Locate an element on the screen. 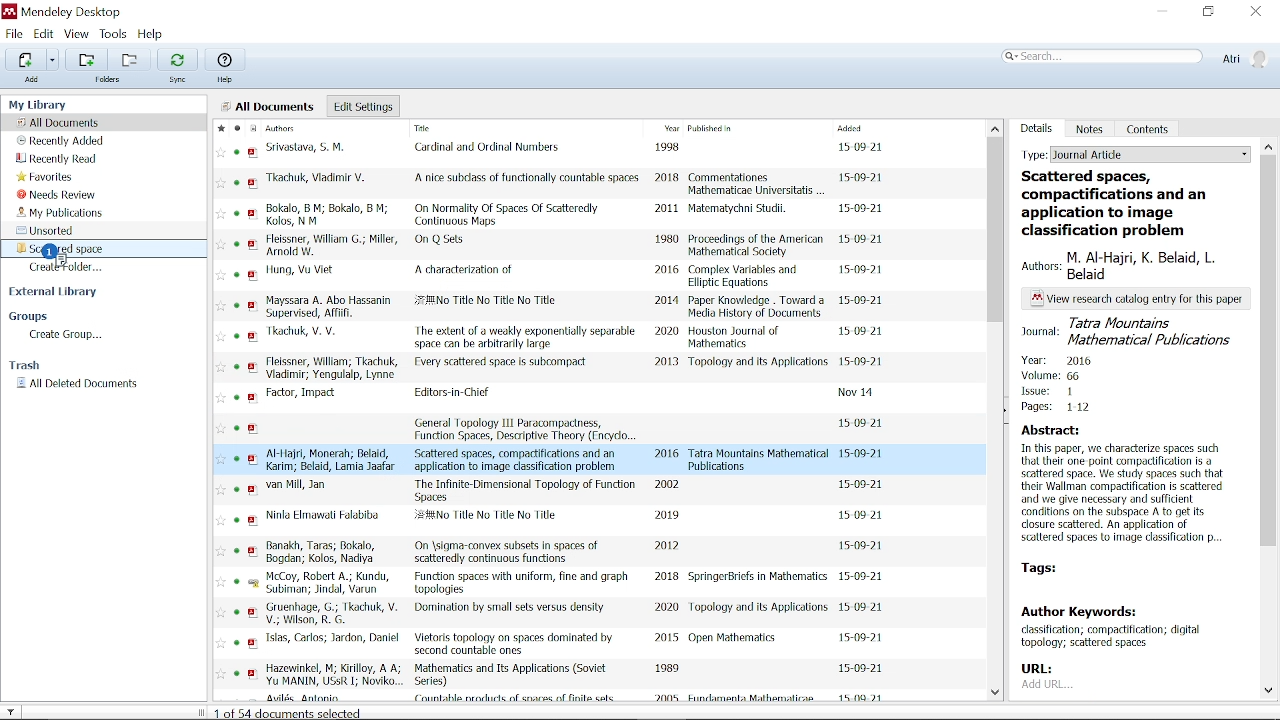 The height and width of the screenshot is (720, 1280). 2012 is located at coordinates (666, 546).